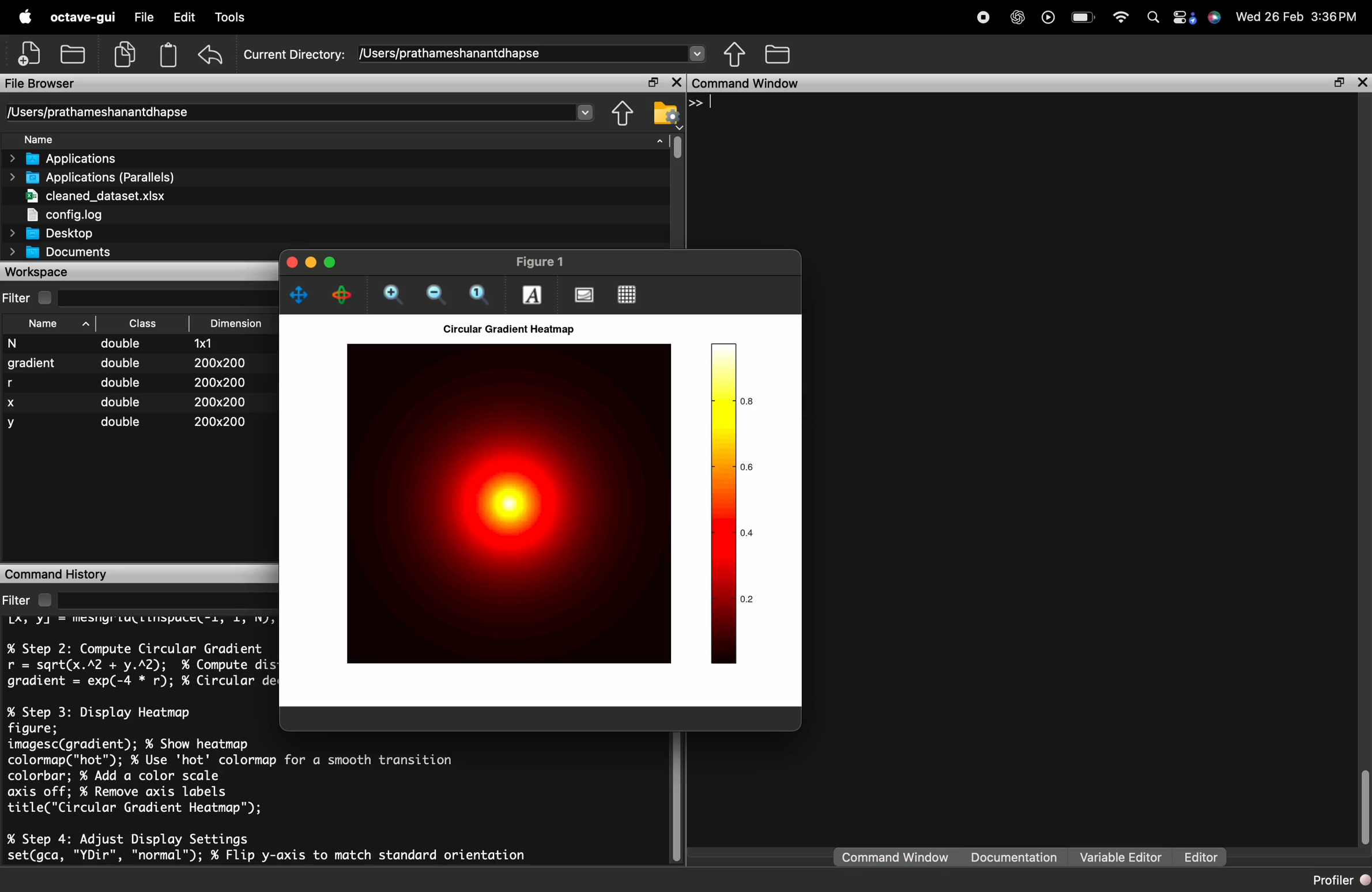  Describe the element at coordinates (127, 383) in the screenshot. I see `double` at that location.